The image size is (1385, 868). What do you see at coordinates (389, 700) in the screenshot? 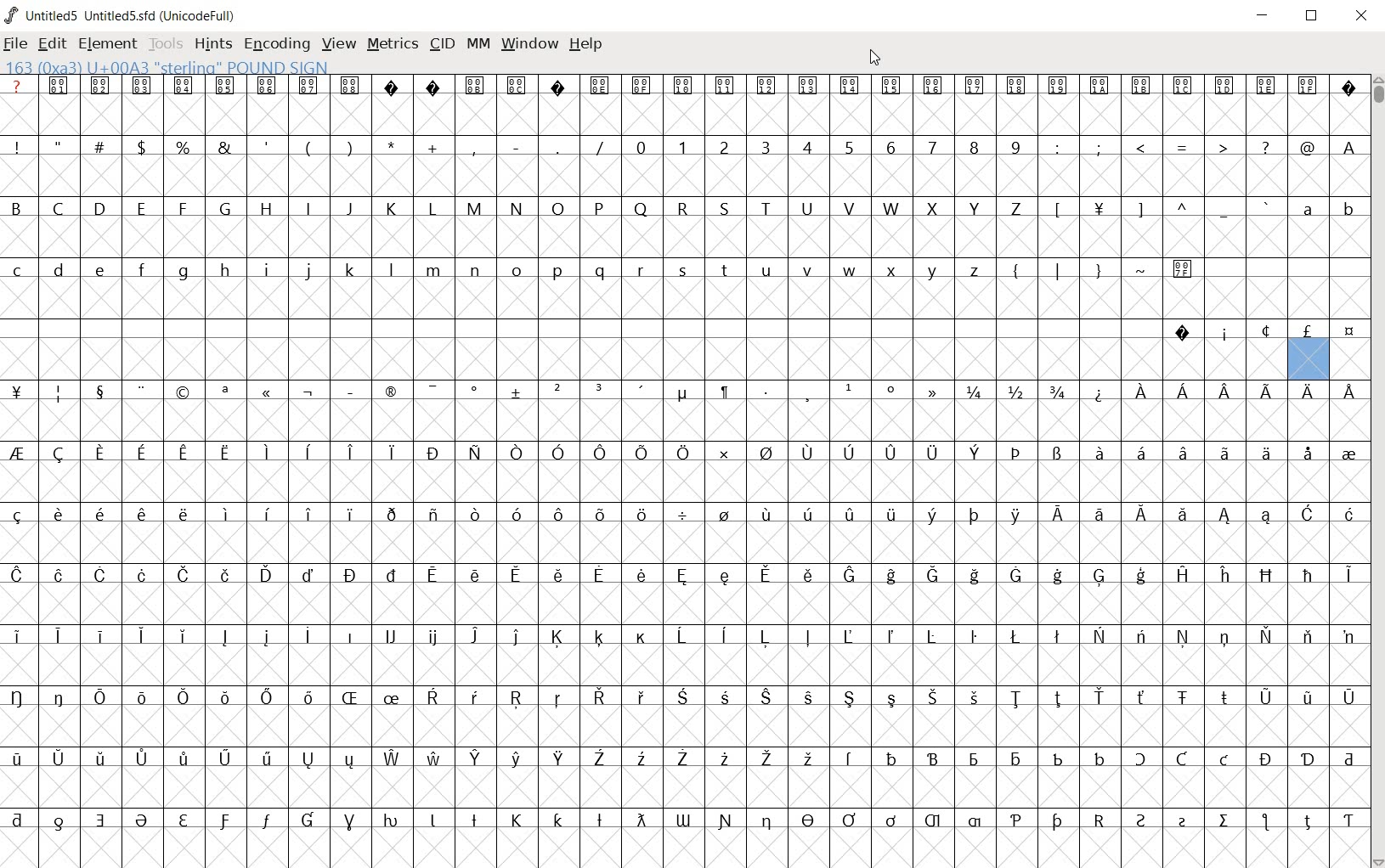
I see `Symbol` at bounding box center [389, 700].